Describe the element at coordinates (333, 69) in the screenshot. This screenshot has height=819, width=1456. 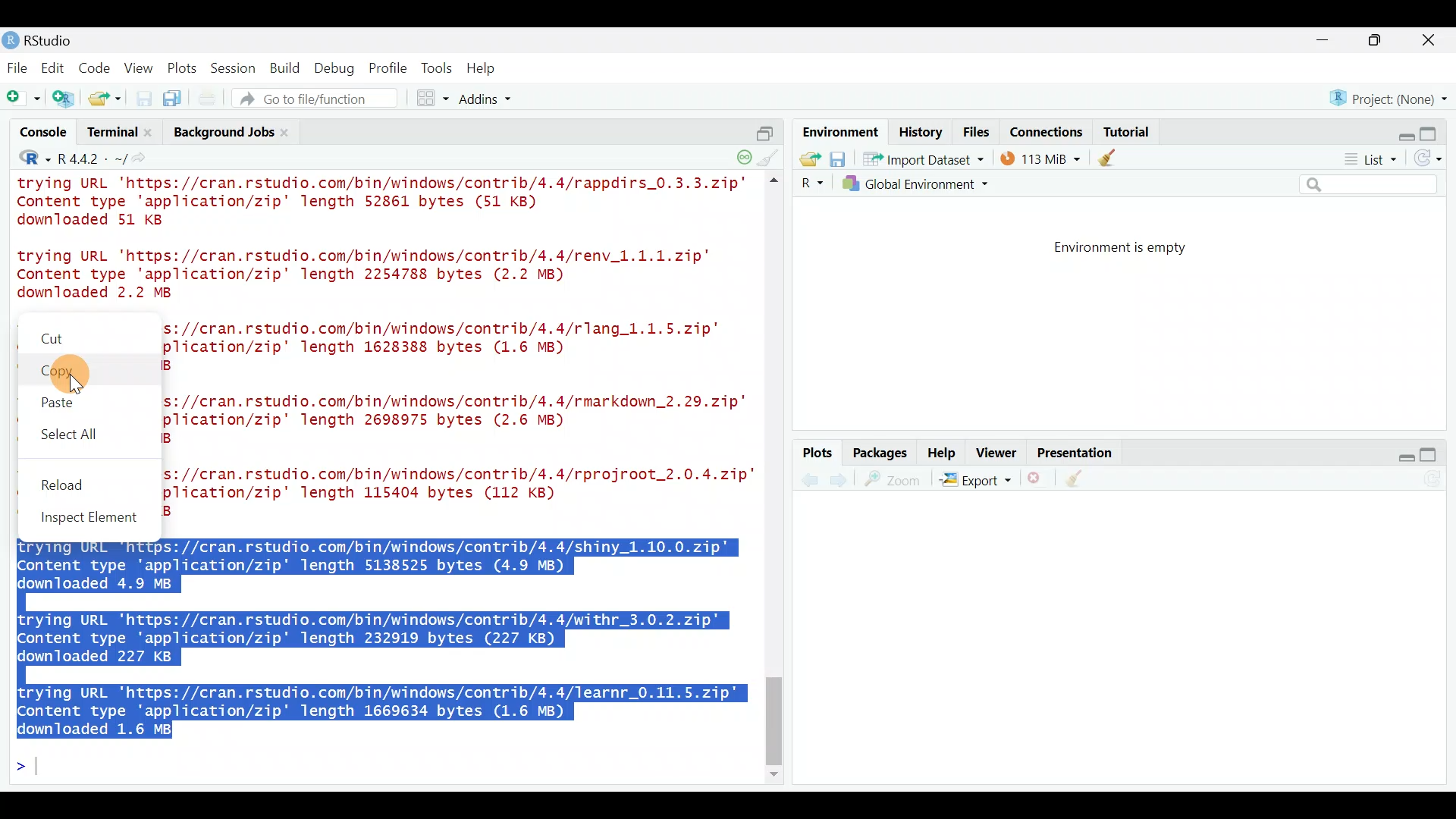
I see `Debug` at that location.